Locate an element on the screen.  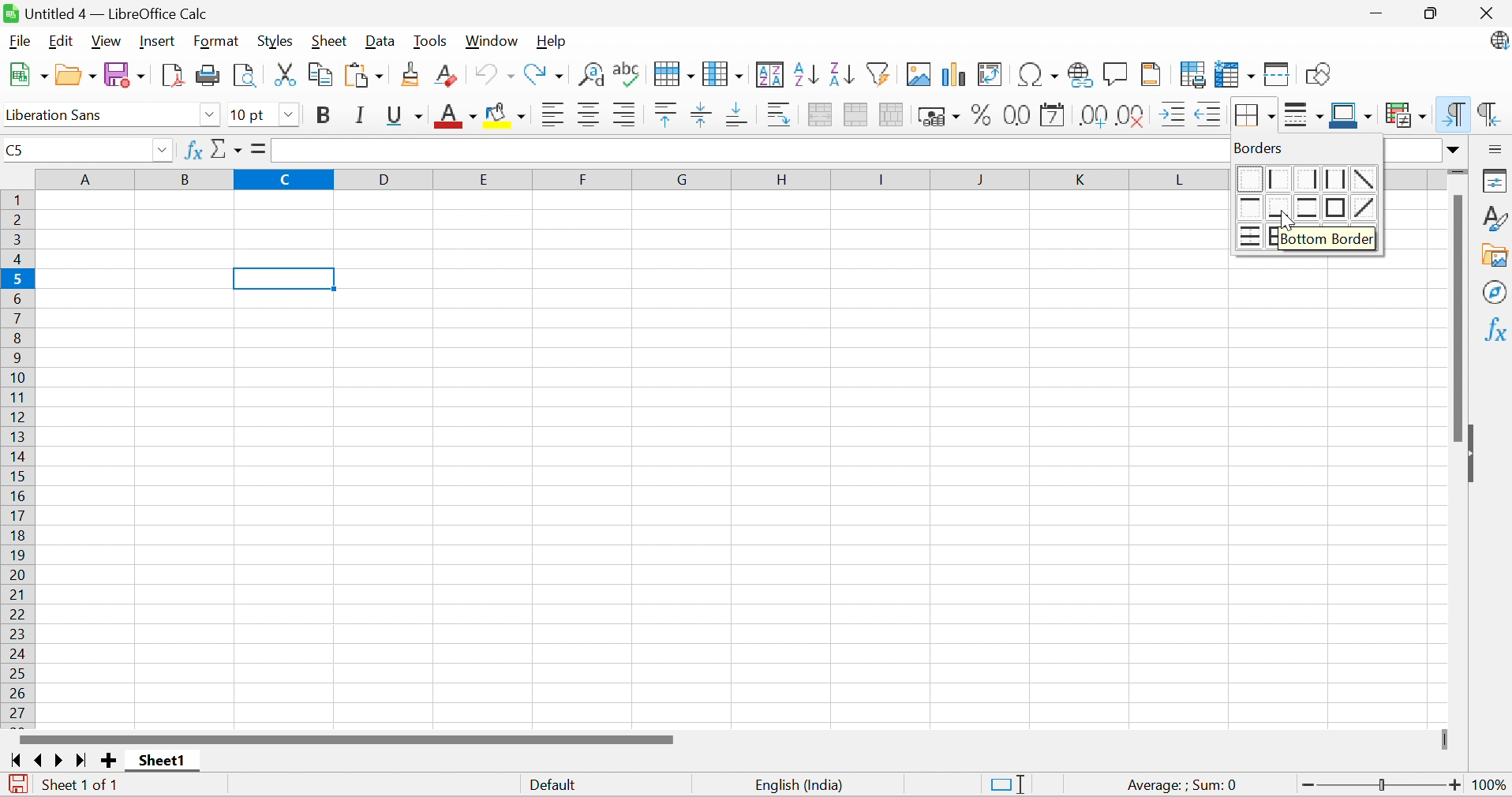
Center vertically is located at coordinates (699, 114).